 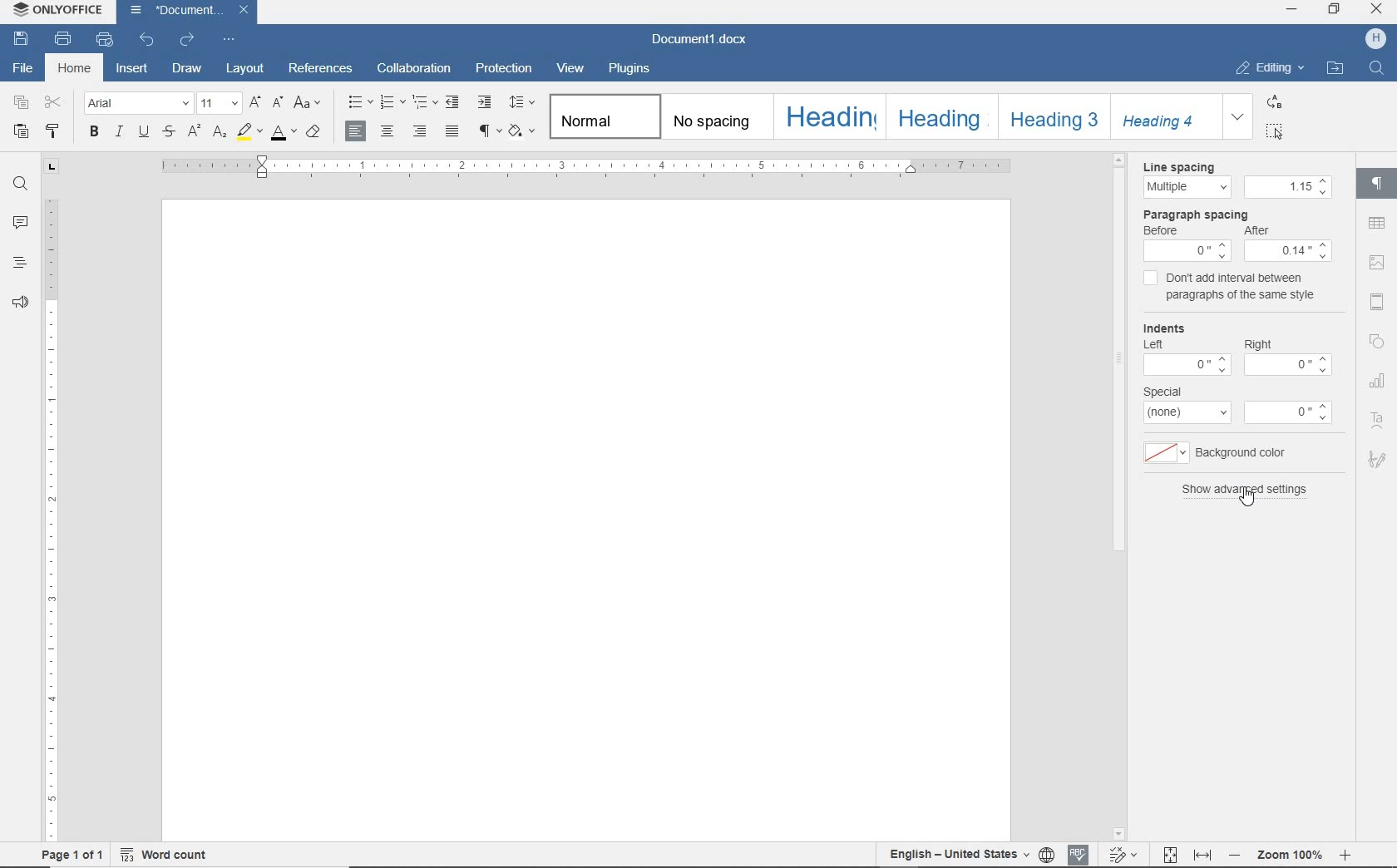 What do you see at coordinates (715, 123) in the screenshot?
I see `no spacing` at bounding box center [715, 123].